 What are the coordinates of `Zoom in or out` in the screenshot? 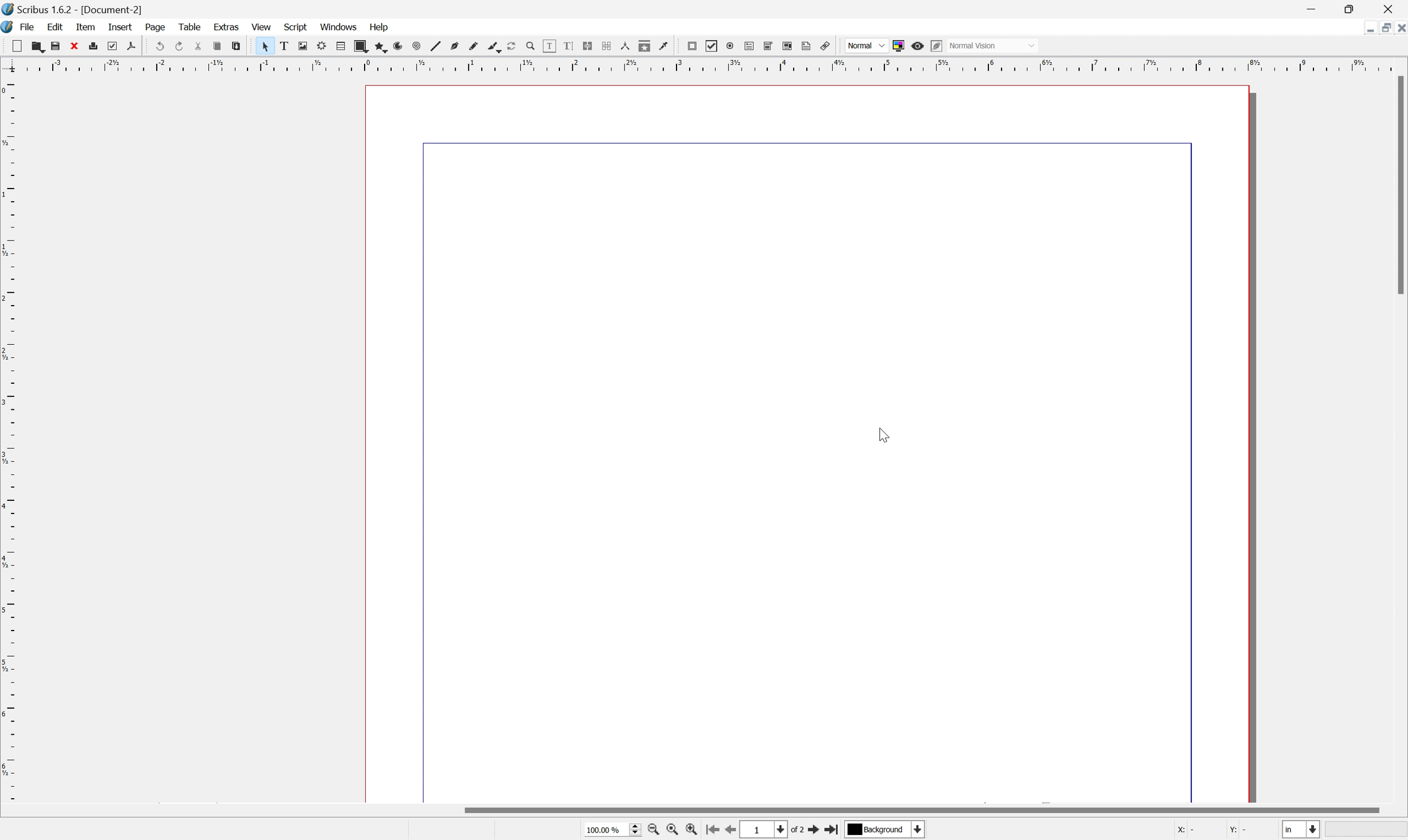 It's located at (529, 44).